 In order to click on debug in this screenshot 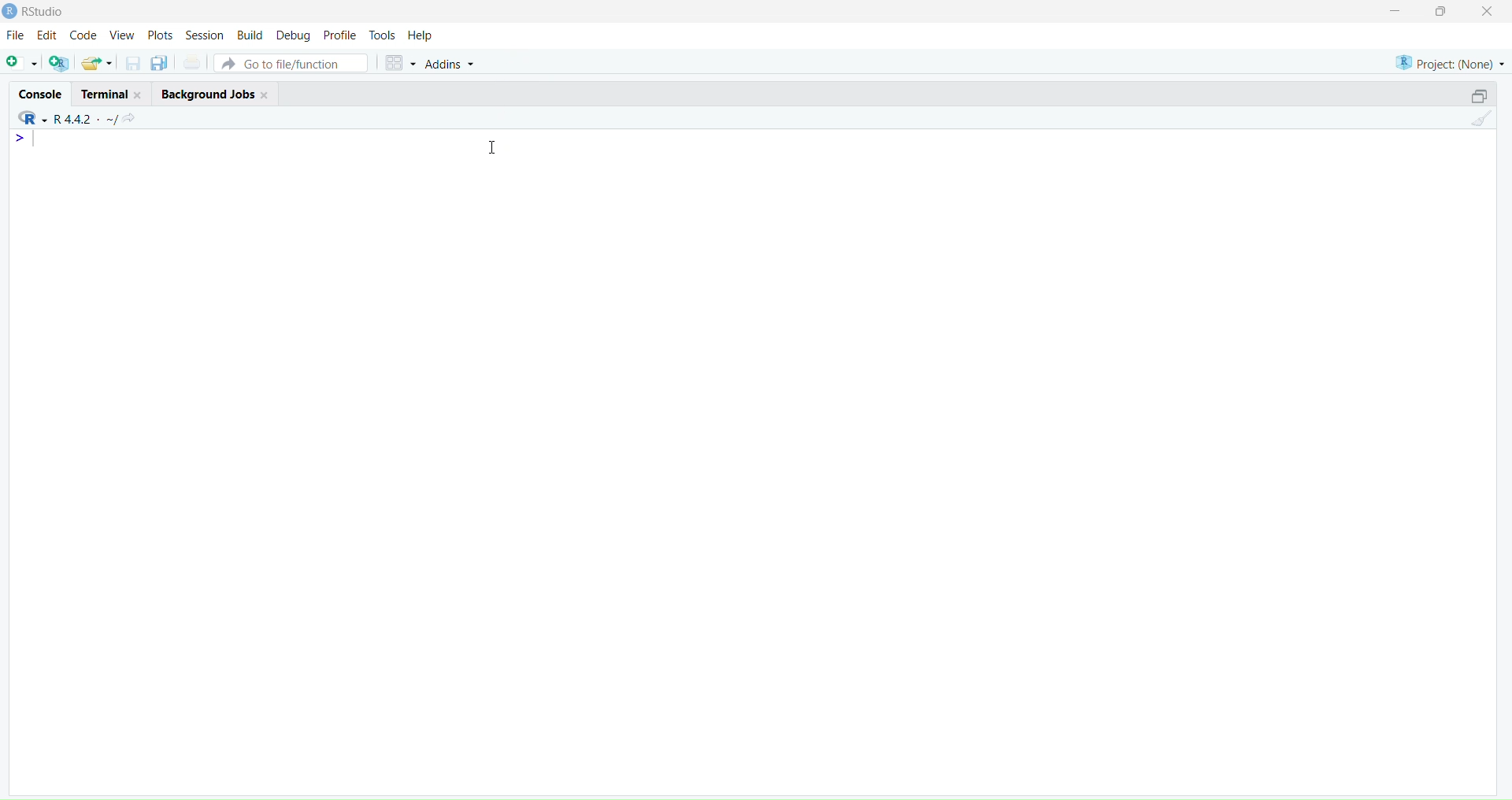, I will do `click(295, 35)`.